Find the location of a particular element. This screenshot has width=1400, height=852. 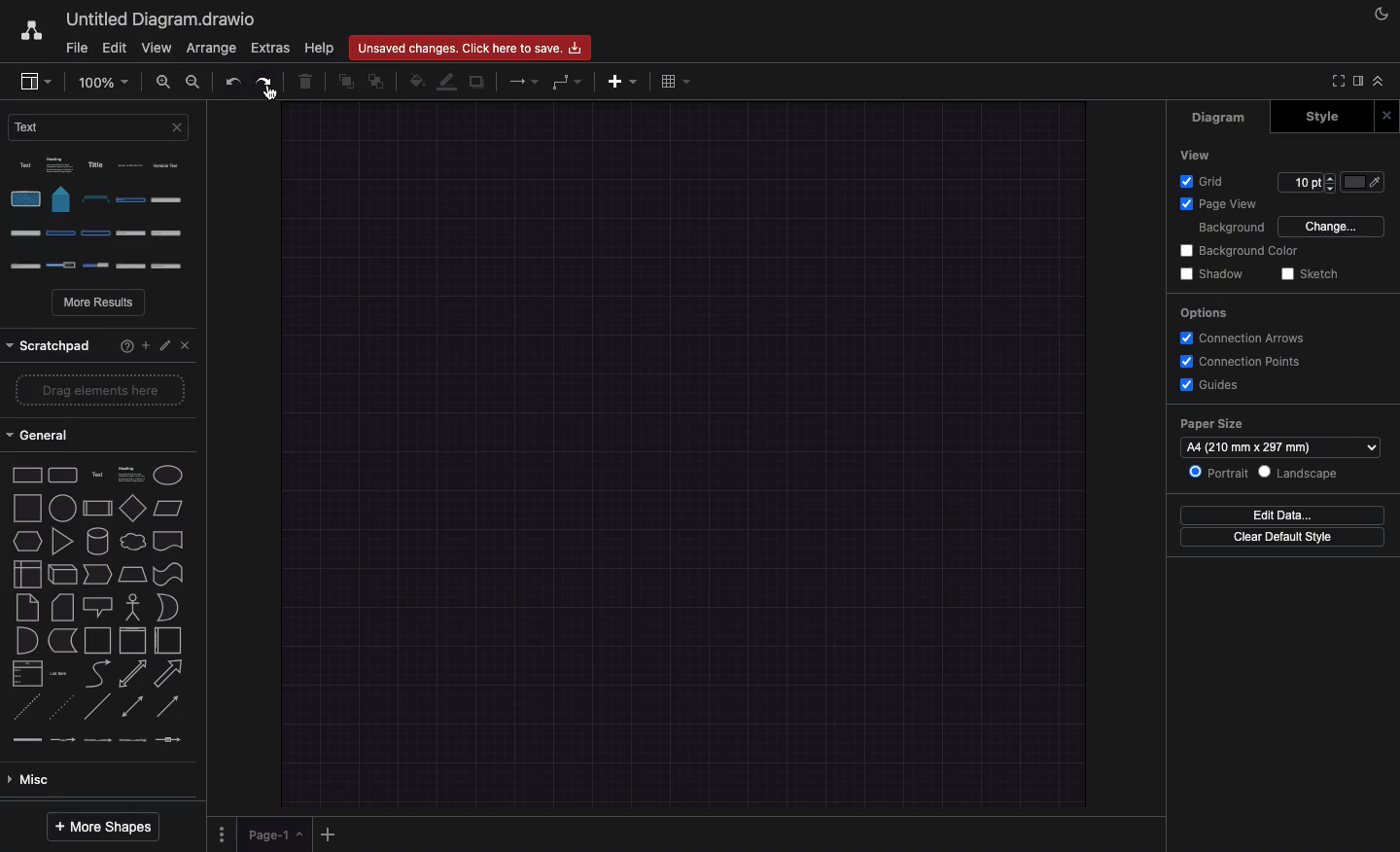

Close is located at coordinates (183, 343).